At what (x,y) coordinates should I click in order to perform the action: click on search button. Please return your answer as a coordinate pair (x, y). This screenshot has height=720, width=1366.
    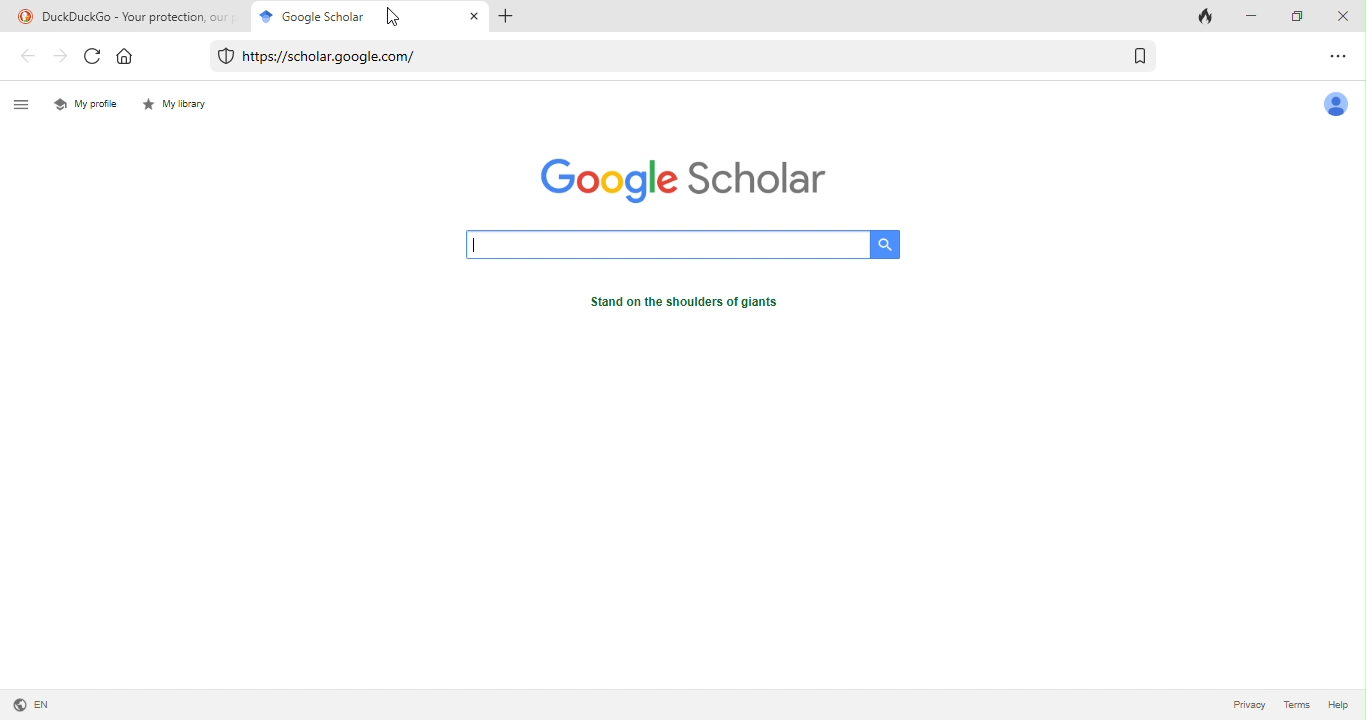
    Looking at the image, I should click on (885, 244).